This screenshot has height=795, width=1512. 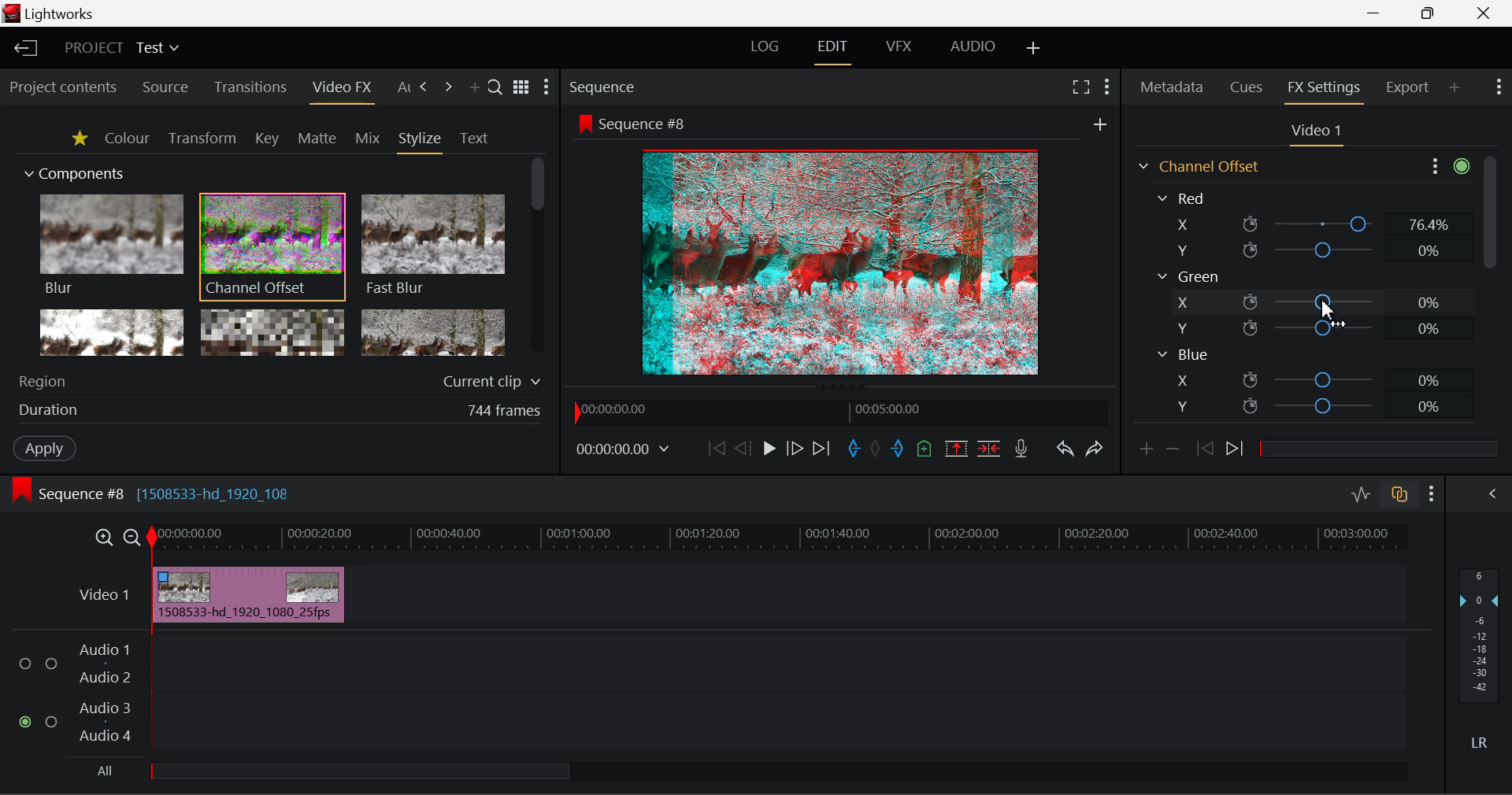 What do you see at coordinates (317, 139) in the screenshot?
I see `Matte` at bounding box center [317, 139].